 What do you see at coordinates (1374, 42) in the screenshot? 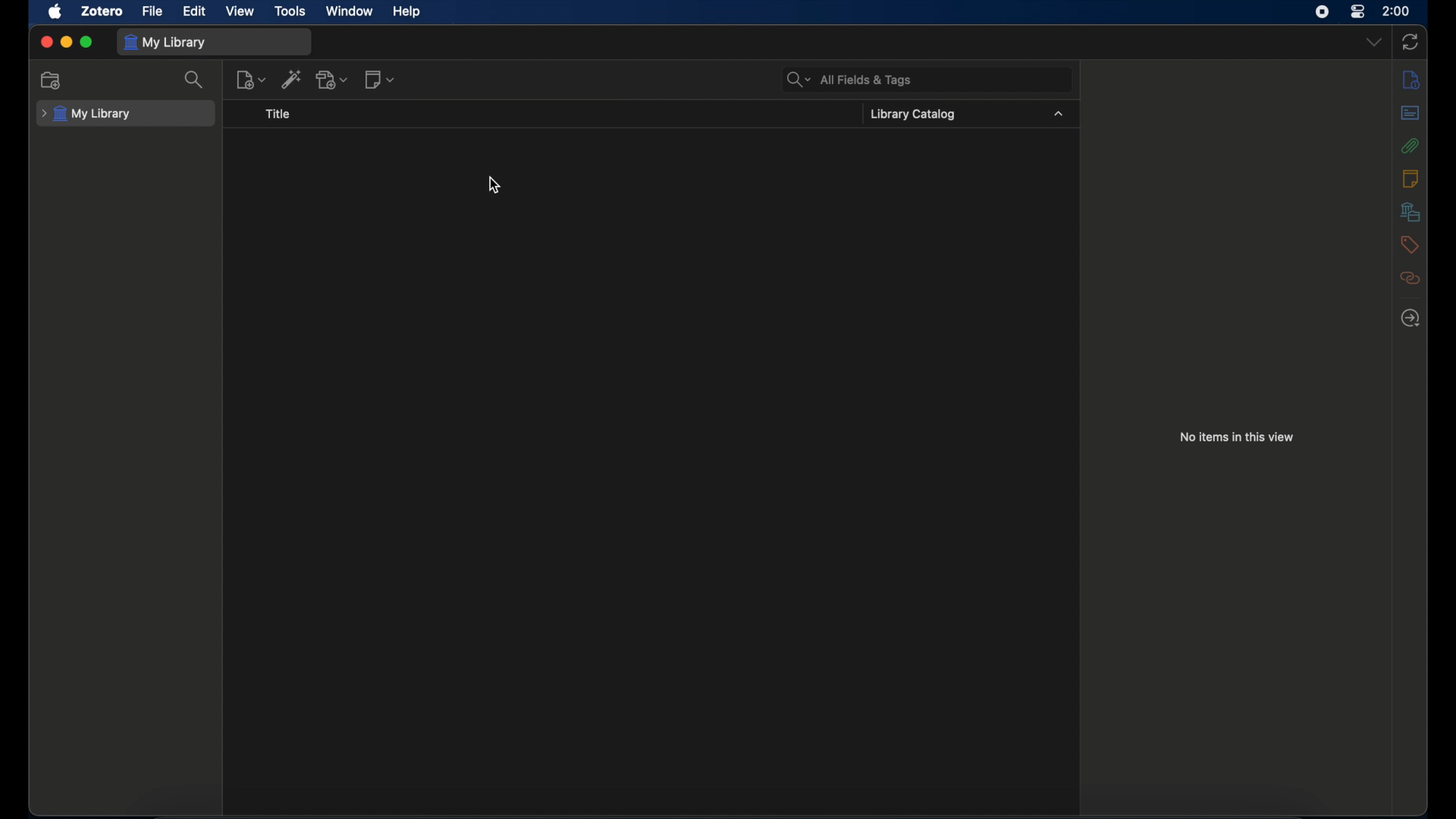
I see `dropdown` at bounding box center [1374, 42].